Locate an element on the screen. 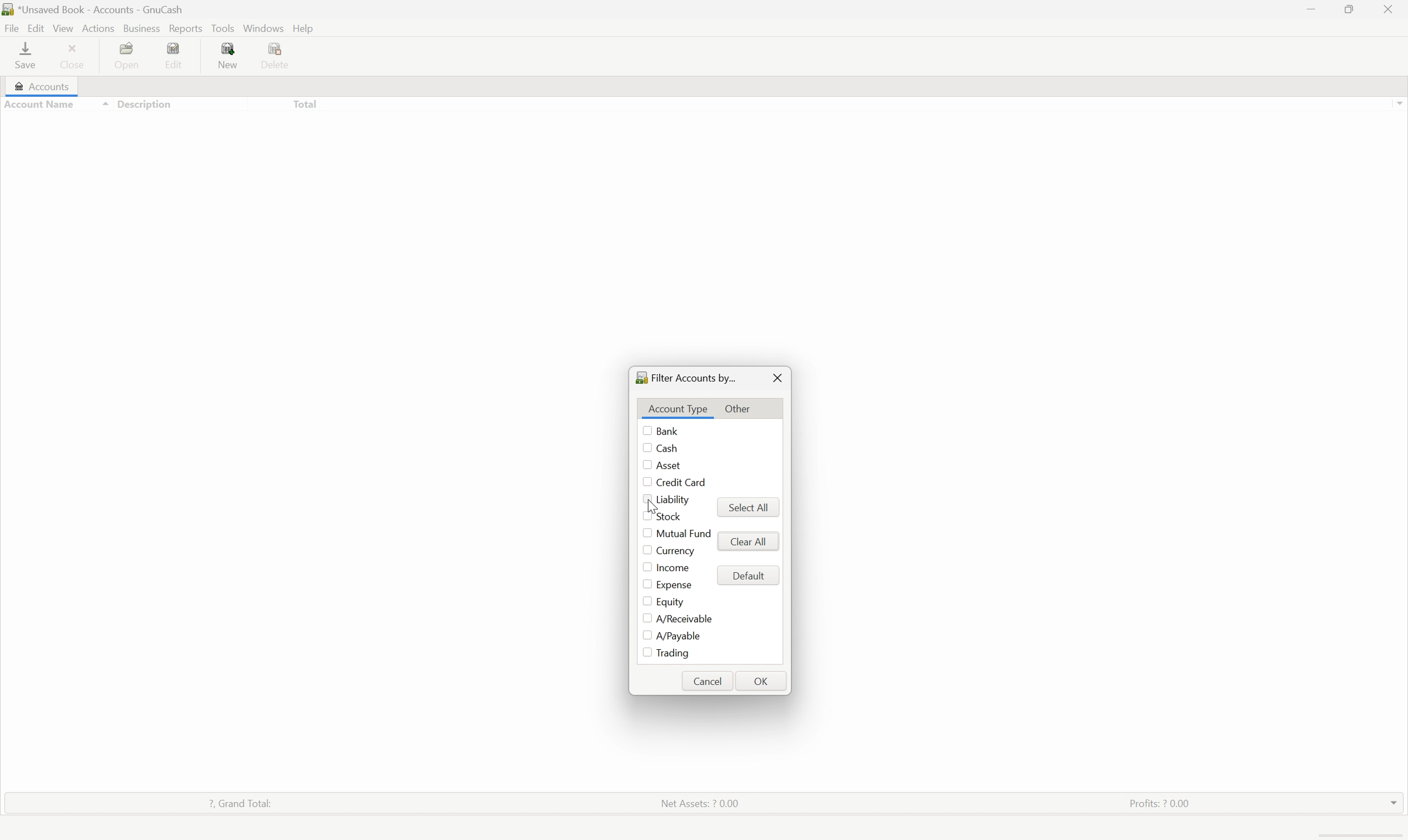  Description is located at coordinates (140, 103).